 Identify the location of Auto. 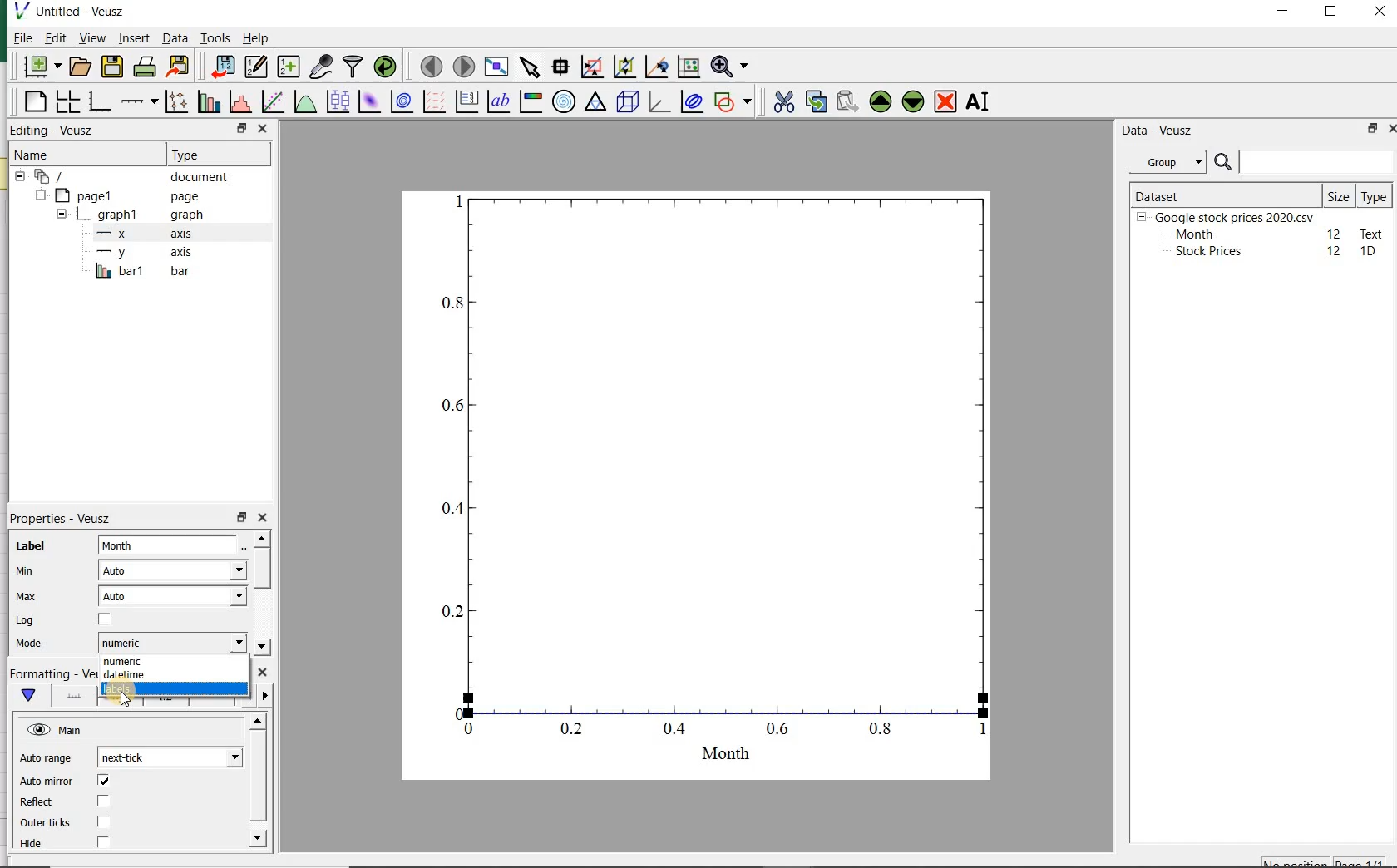
(173, 596).